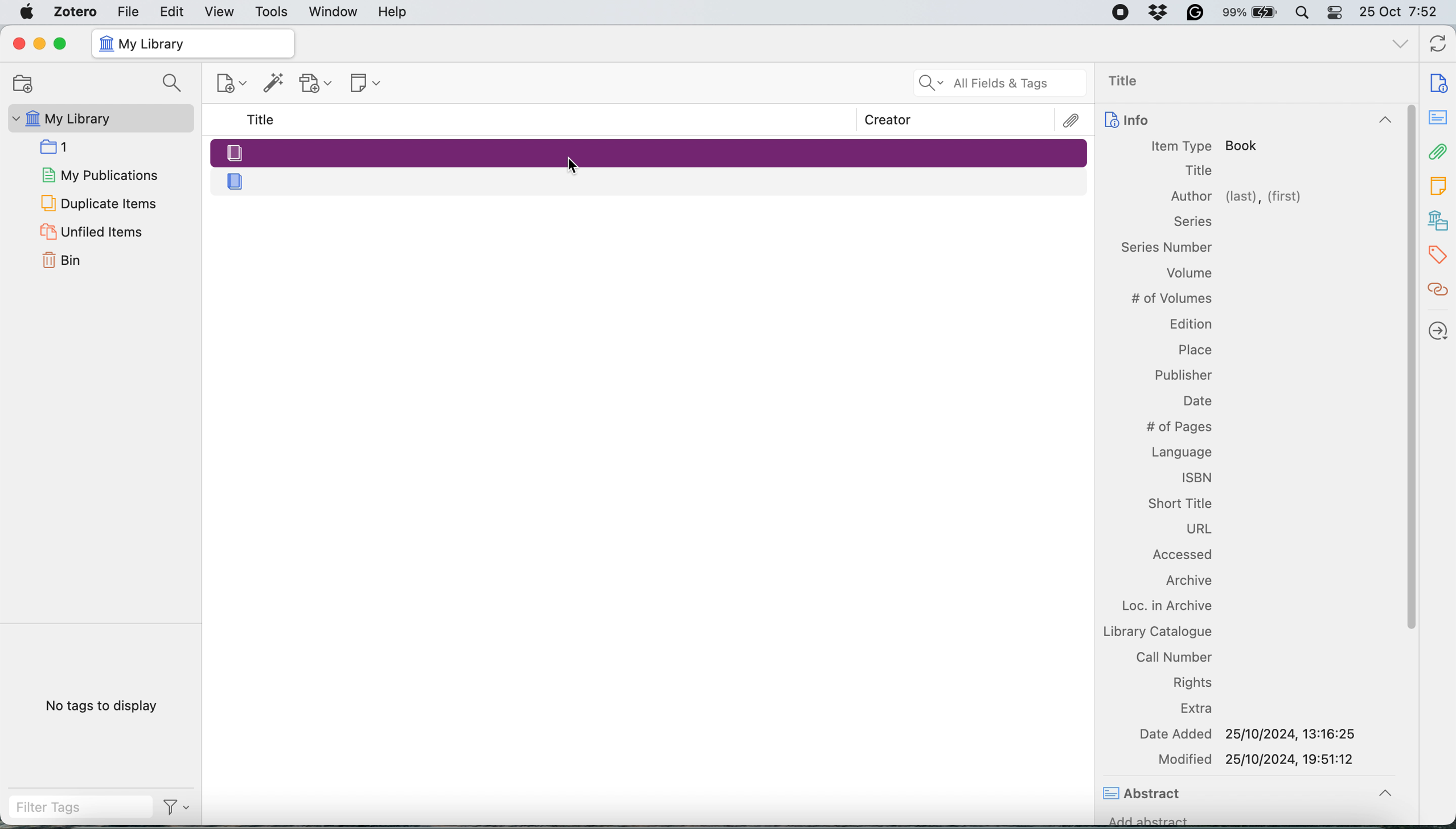 This screenshot has width=1456, height=829. What do you see at coordinates (181, 807) in the screenshot?
I see `Filter Options` at bounding box center [181, 807].